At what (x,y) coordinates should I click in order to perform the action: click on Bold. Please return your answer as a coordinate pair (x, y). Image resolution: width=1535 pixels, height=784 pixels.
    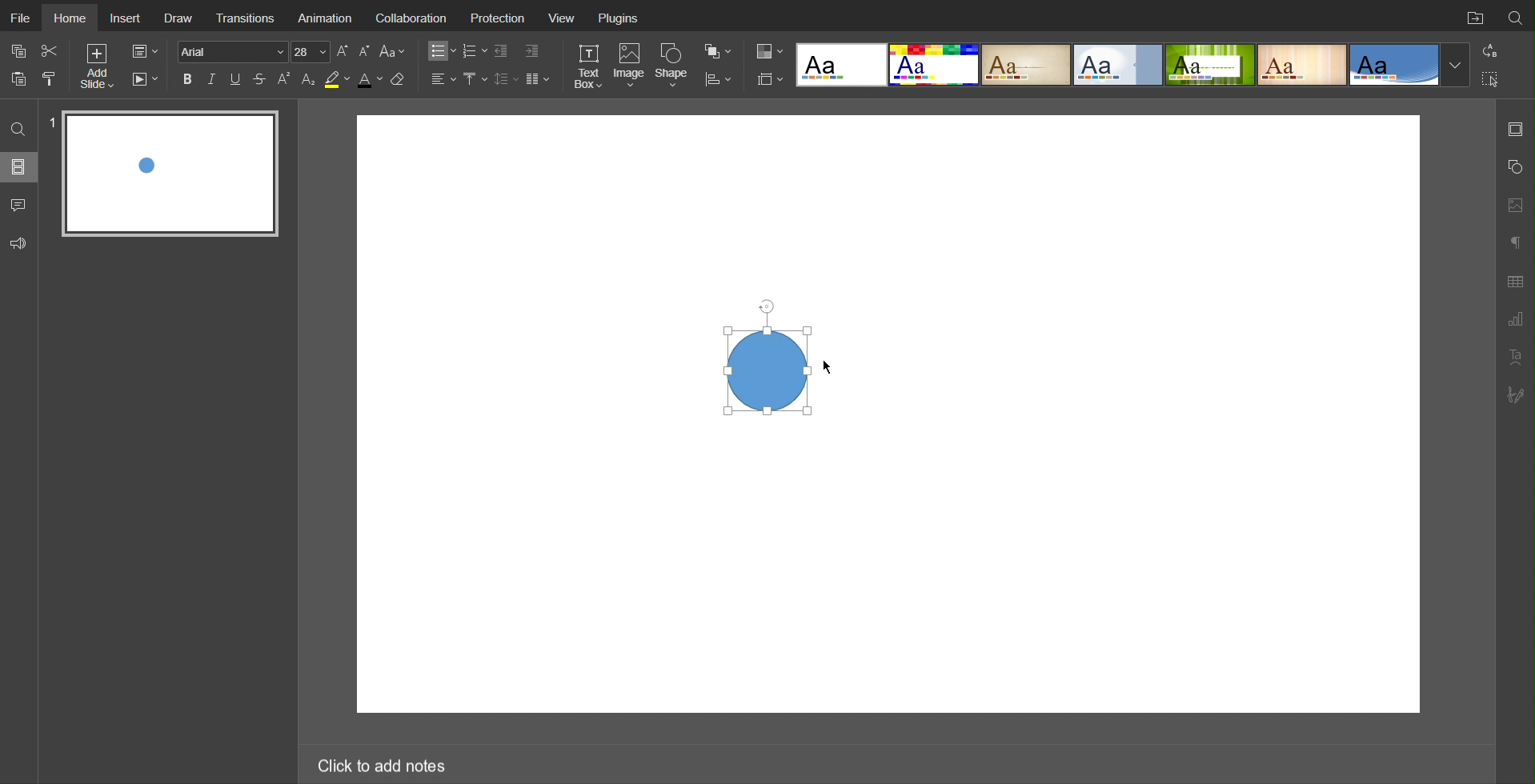
    Looking at the image, I should click on (187, 78).